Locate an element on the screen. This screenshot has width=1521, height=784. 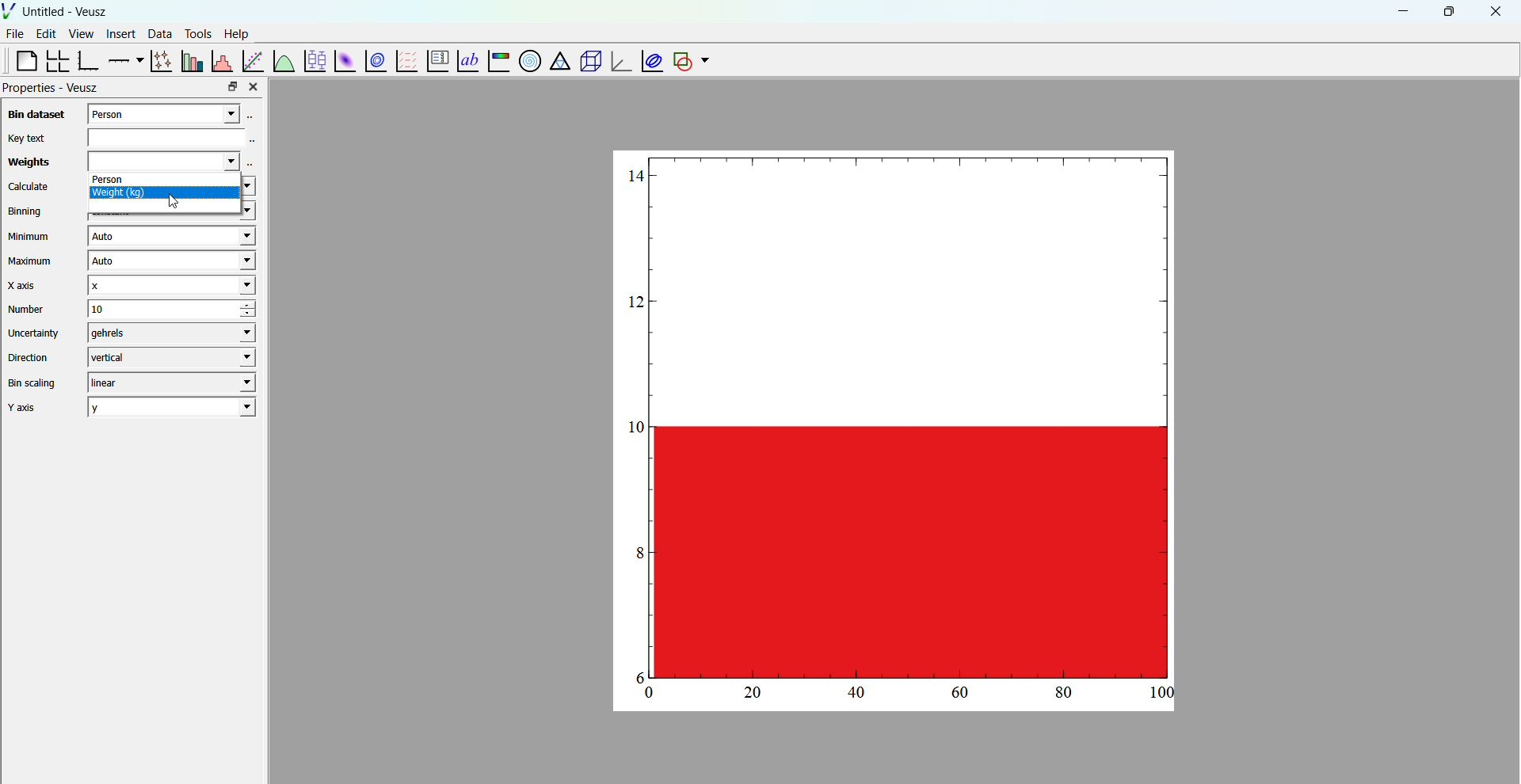
Bin Dataset is located at coordinates (34, 114).